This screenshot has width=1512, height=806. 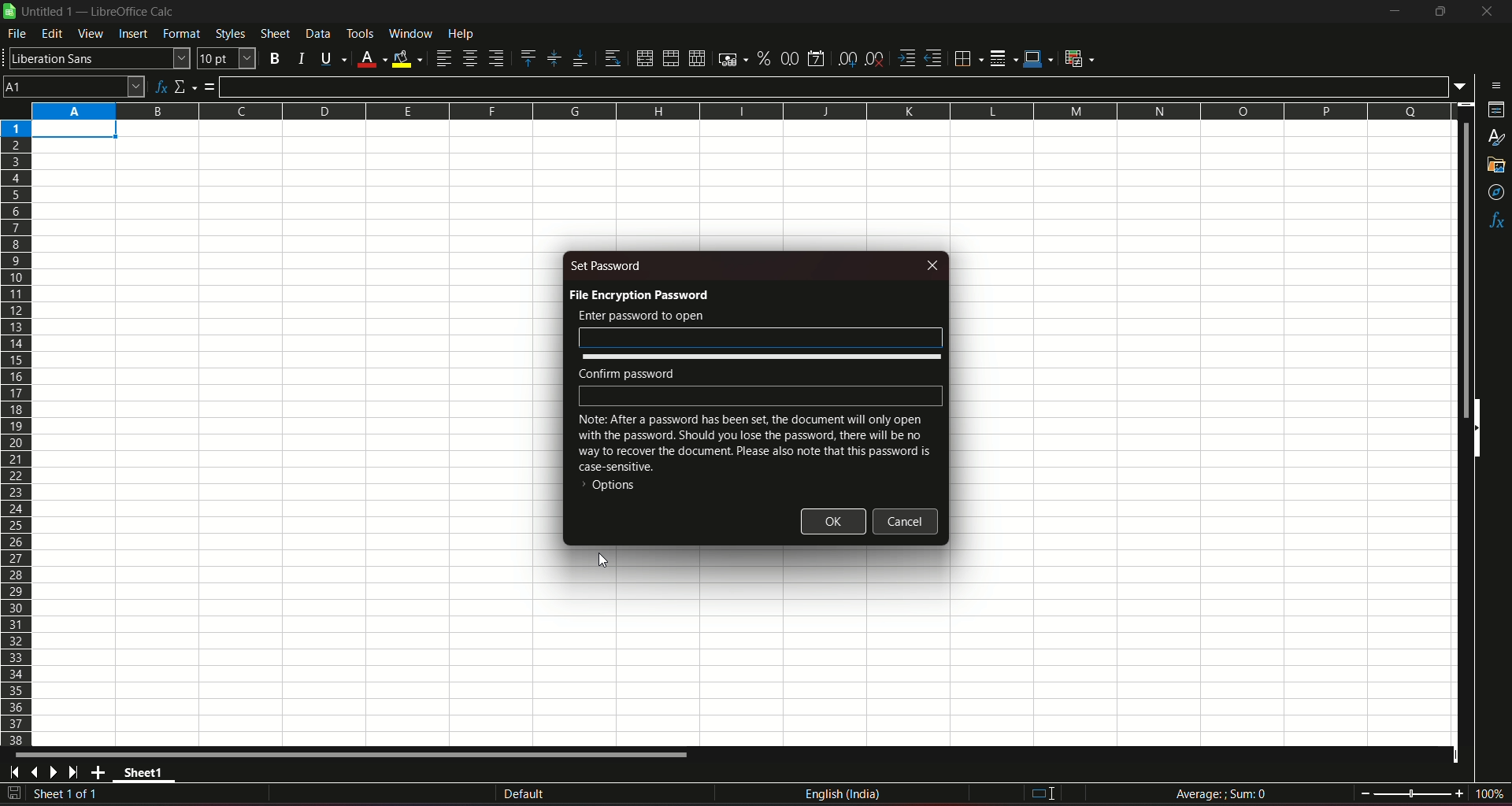 What do you see at coordinates (1495, 192) in the screenshot?
I see `navigator` at bounding box center [1495, 192].